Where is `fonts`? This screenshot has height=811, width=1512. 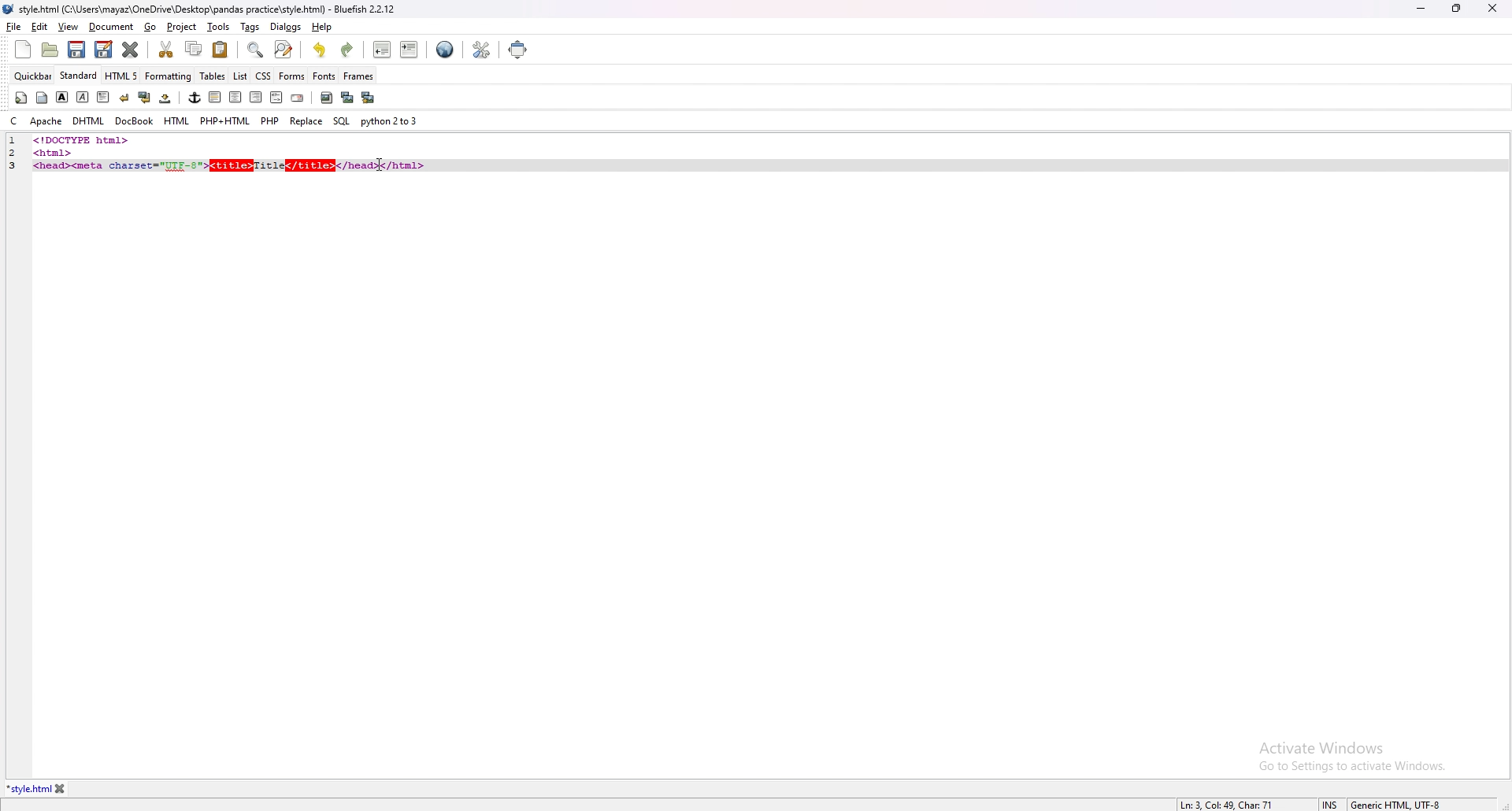
fonts is located at coordinates (324, 76).